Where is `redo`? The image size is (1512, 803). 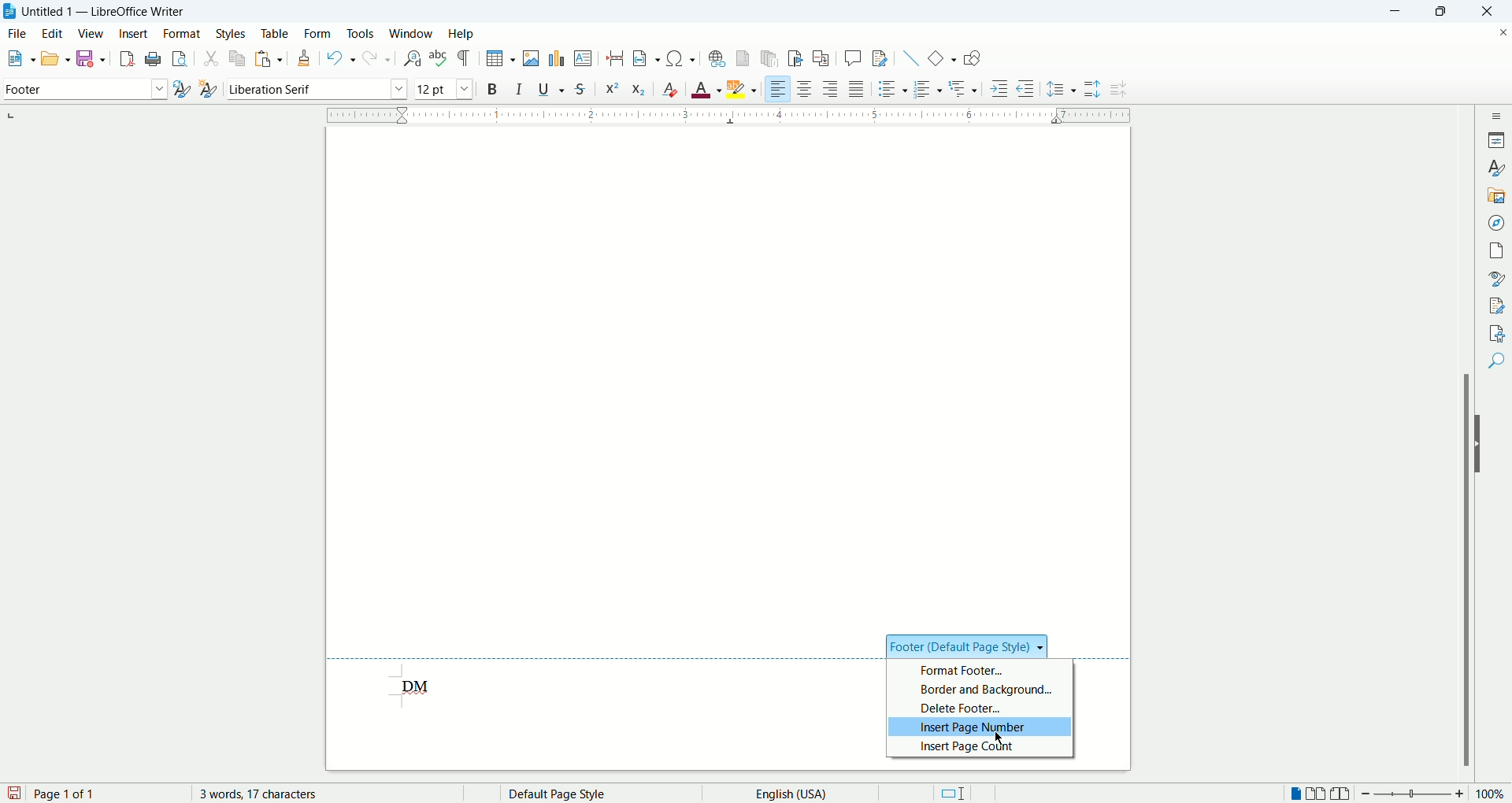 redo is located at coordinates (375, 59).